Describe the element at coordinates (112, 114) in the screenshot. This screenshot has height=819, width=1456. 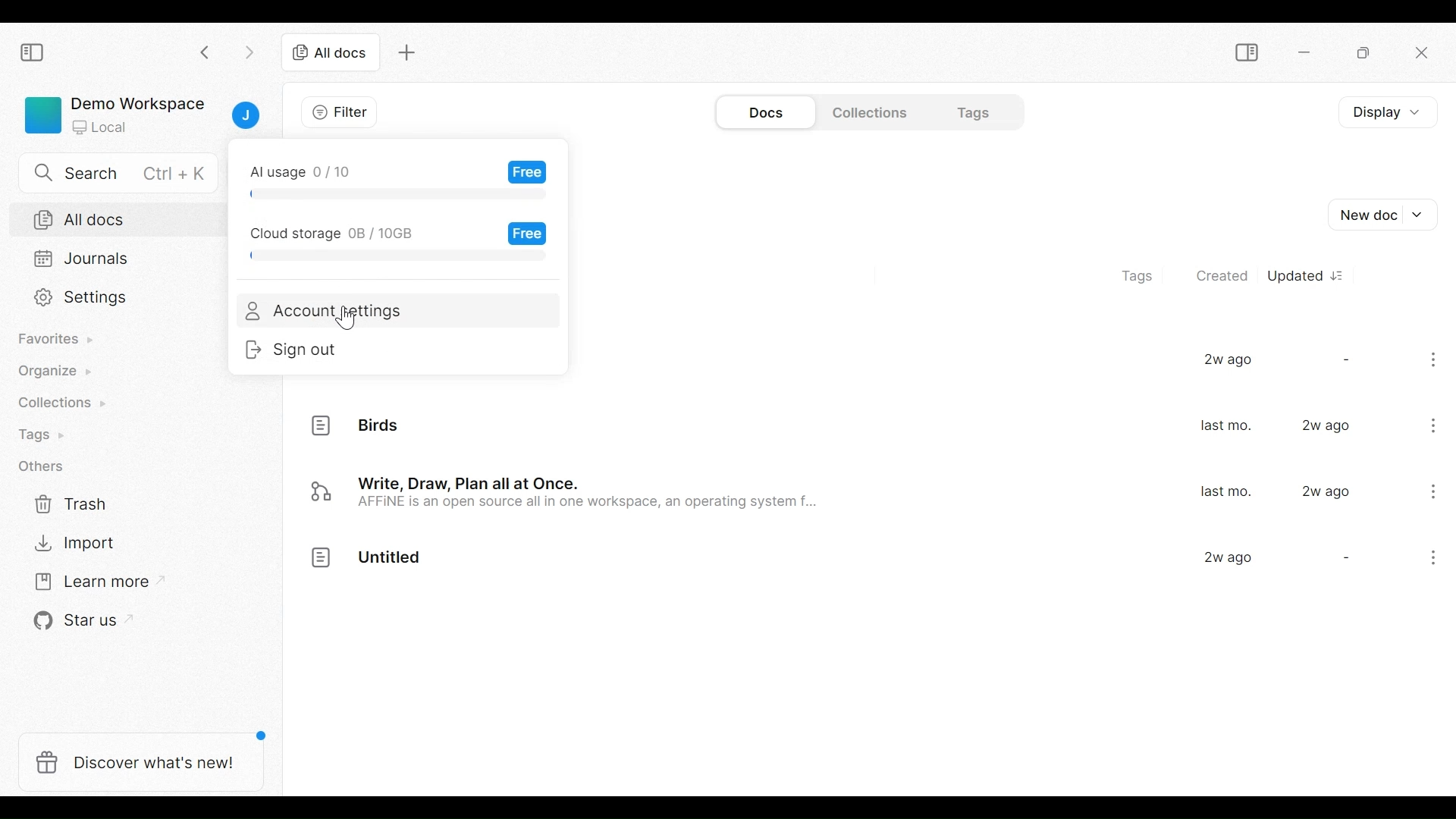
I see `Demo workspace` at that location.